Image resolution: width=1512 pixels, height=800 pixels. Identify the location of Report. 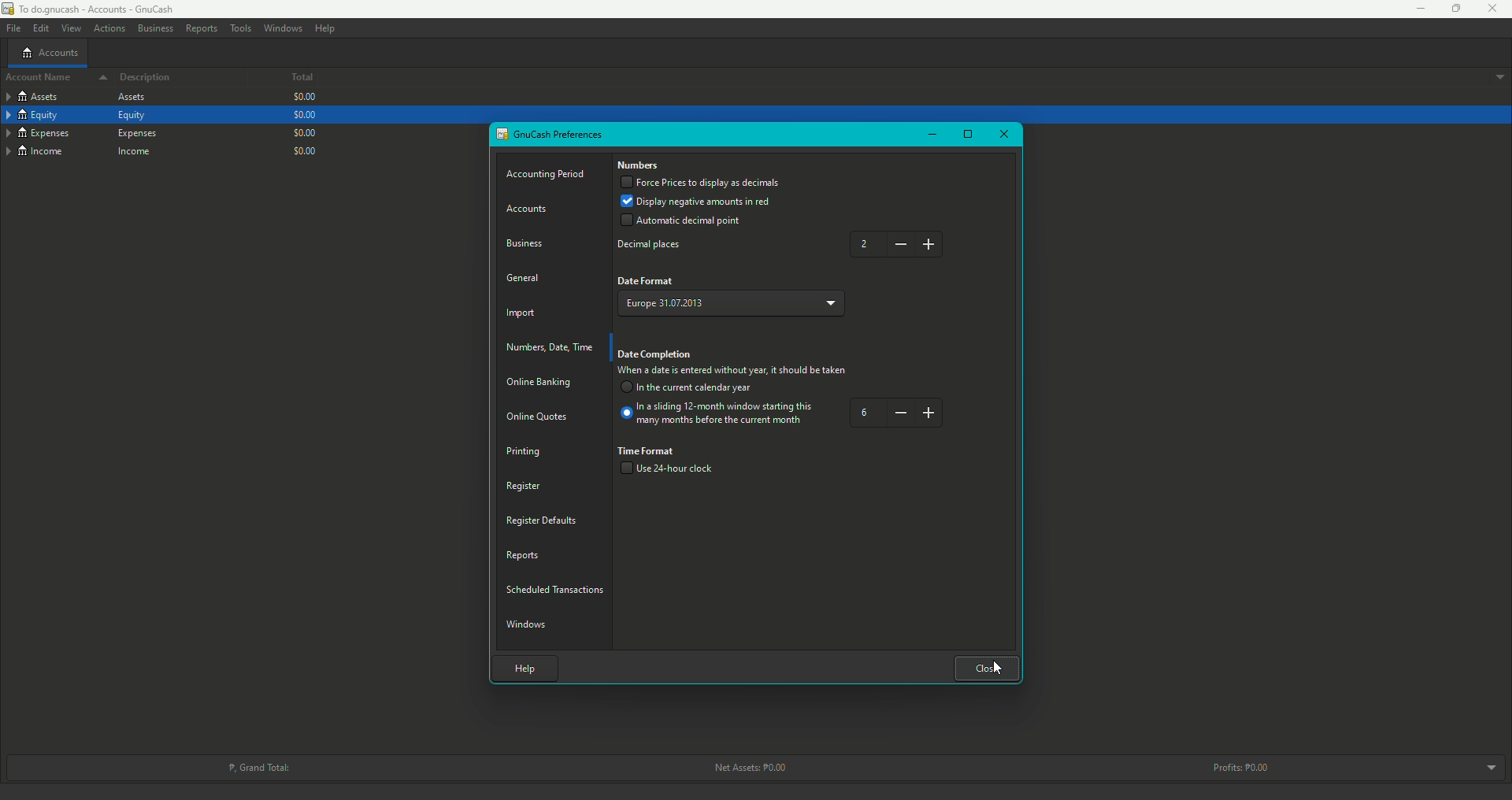
(524, 554).